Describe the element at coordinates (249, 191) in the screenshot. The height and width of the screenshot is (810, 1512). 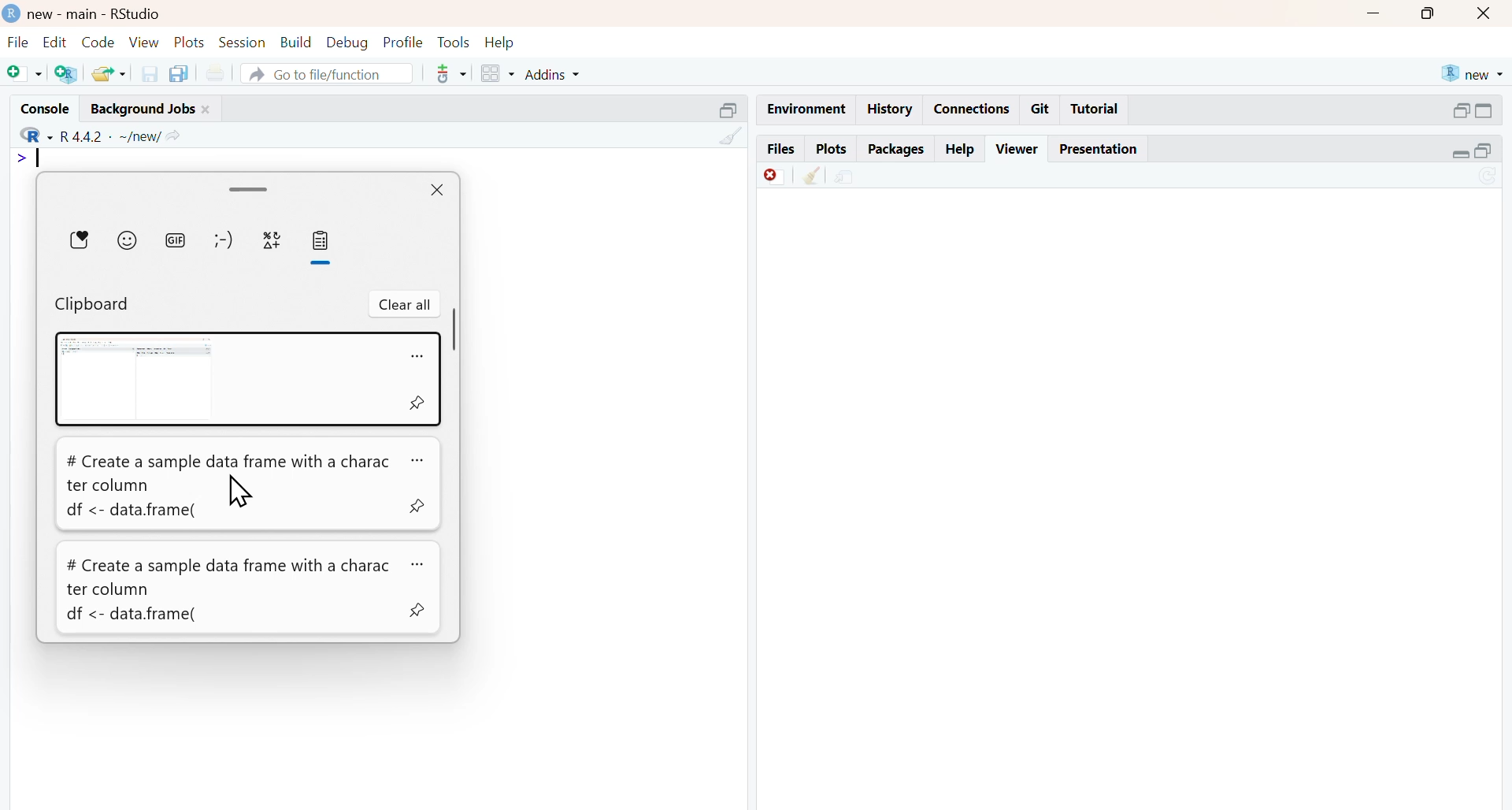
I see `drag handle` at that location.